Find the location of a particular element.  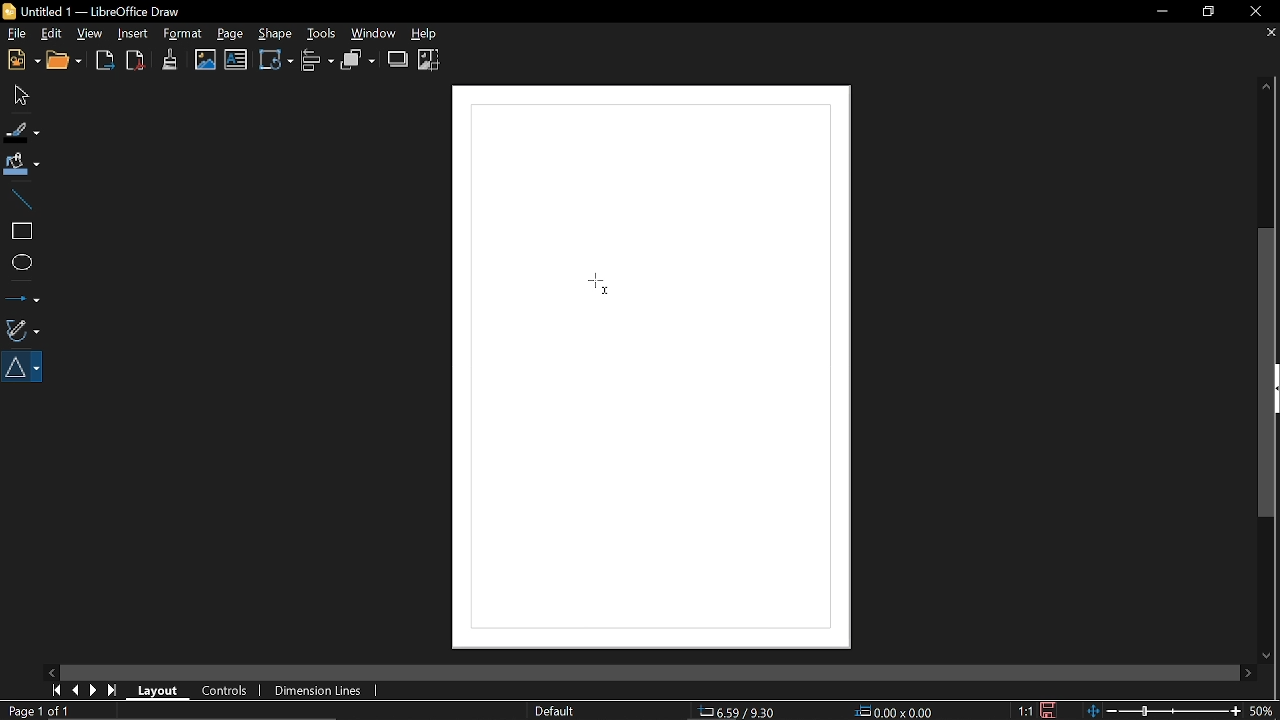

Open is located at coordinates (68, 62).